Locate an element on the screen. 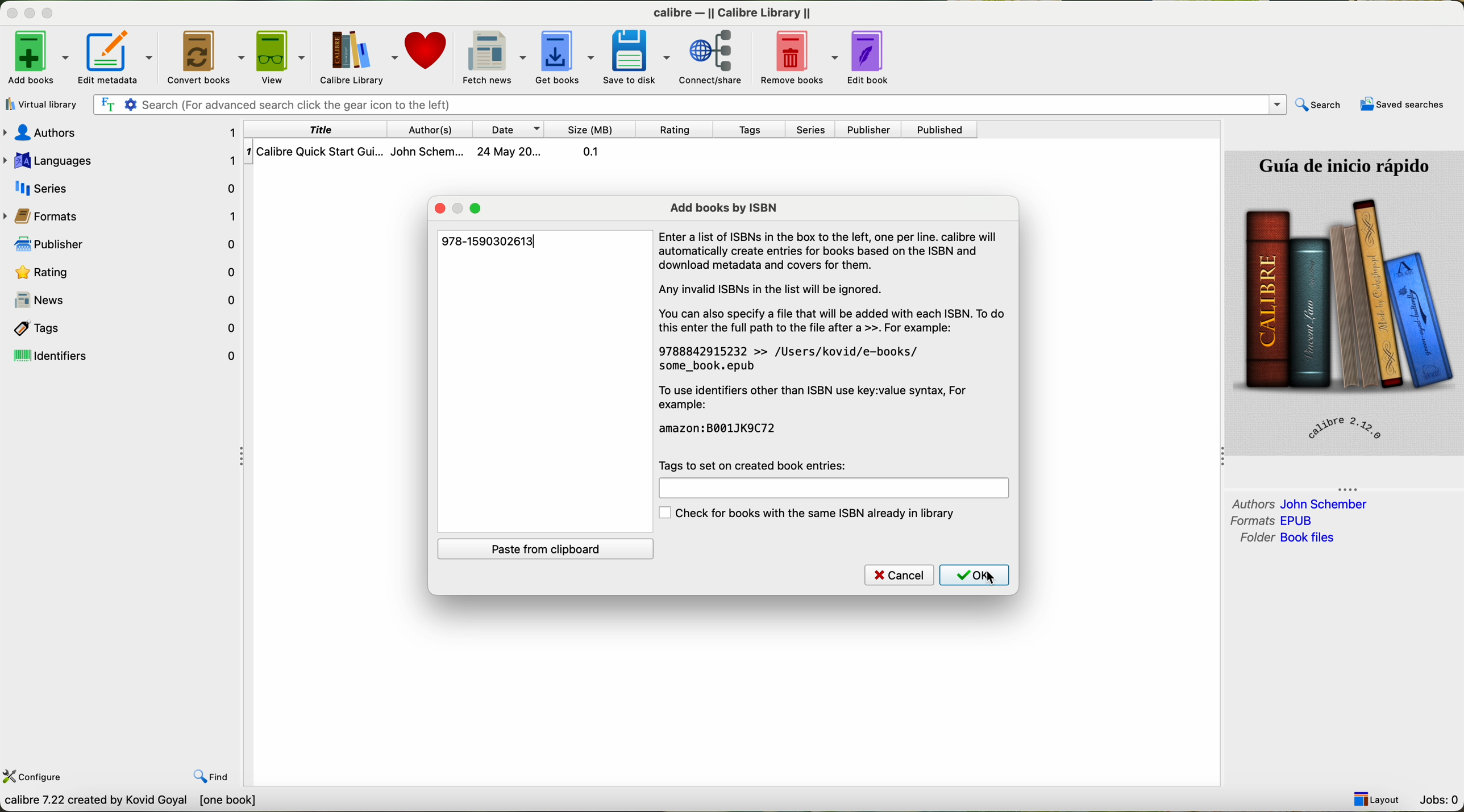 The image size is (1464, 812). publisher is located at coordinates (868, 129).